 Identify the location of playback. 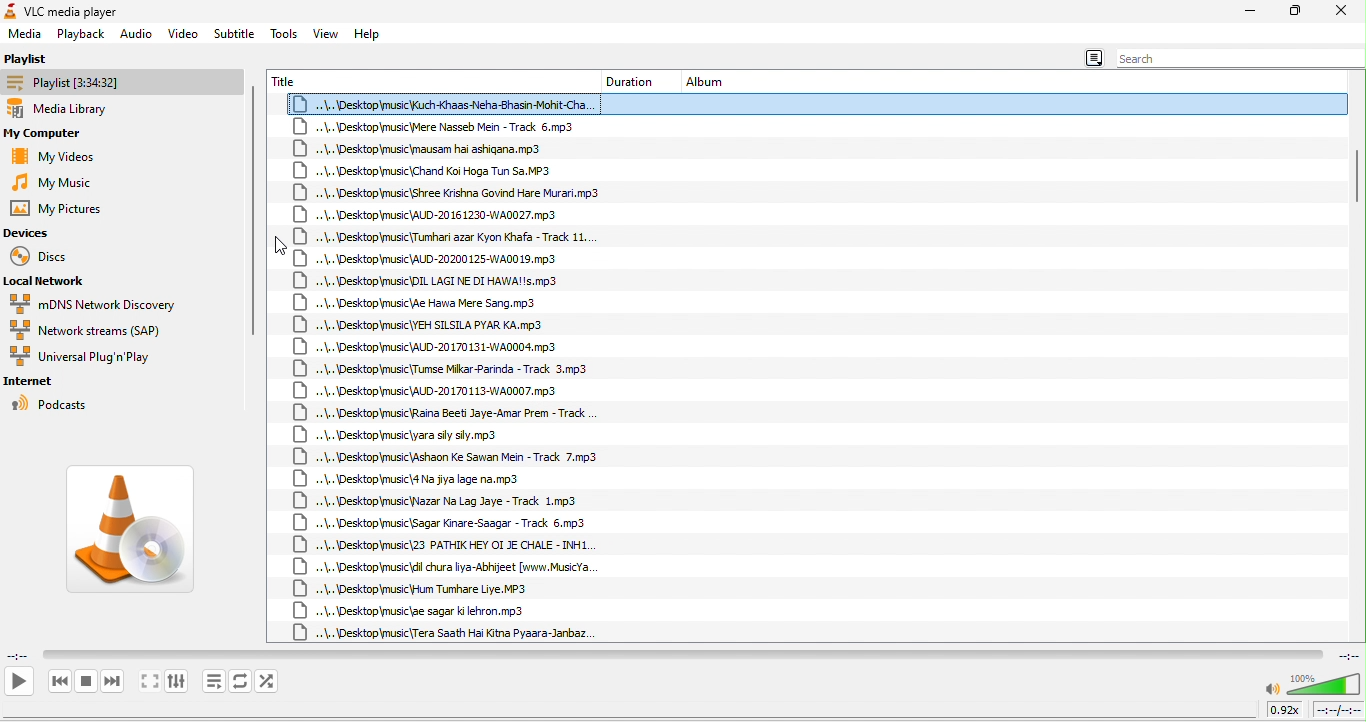
(82, 34).